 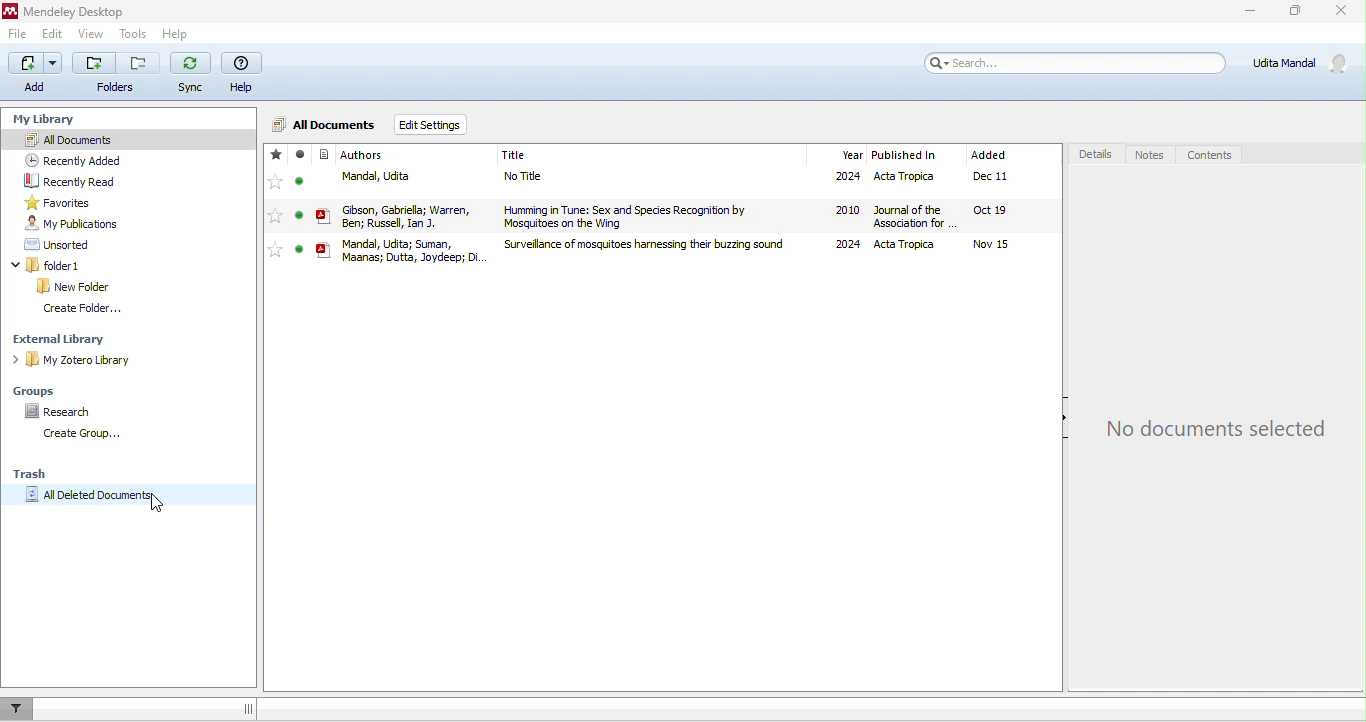 I want to click on research, so click(x=61, y=410).